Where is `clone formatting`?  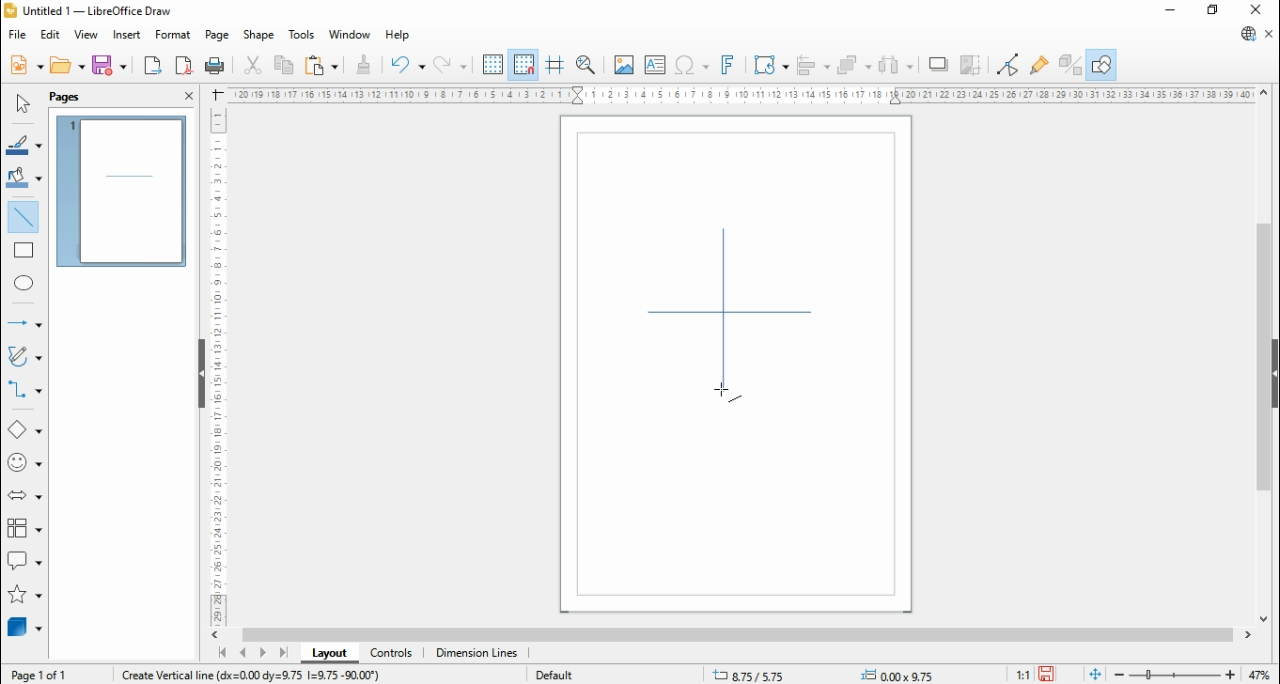
clone formatting is located at coordinates (362, 64).